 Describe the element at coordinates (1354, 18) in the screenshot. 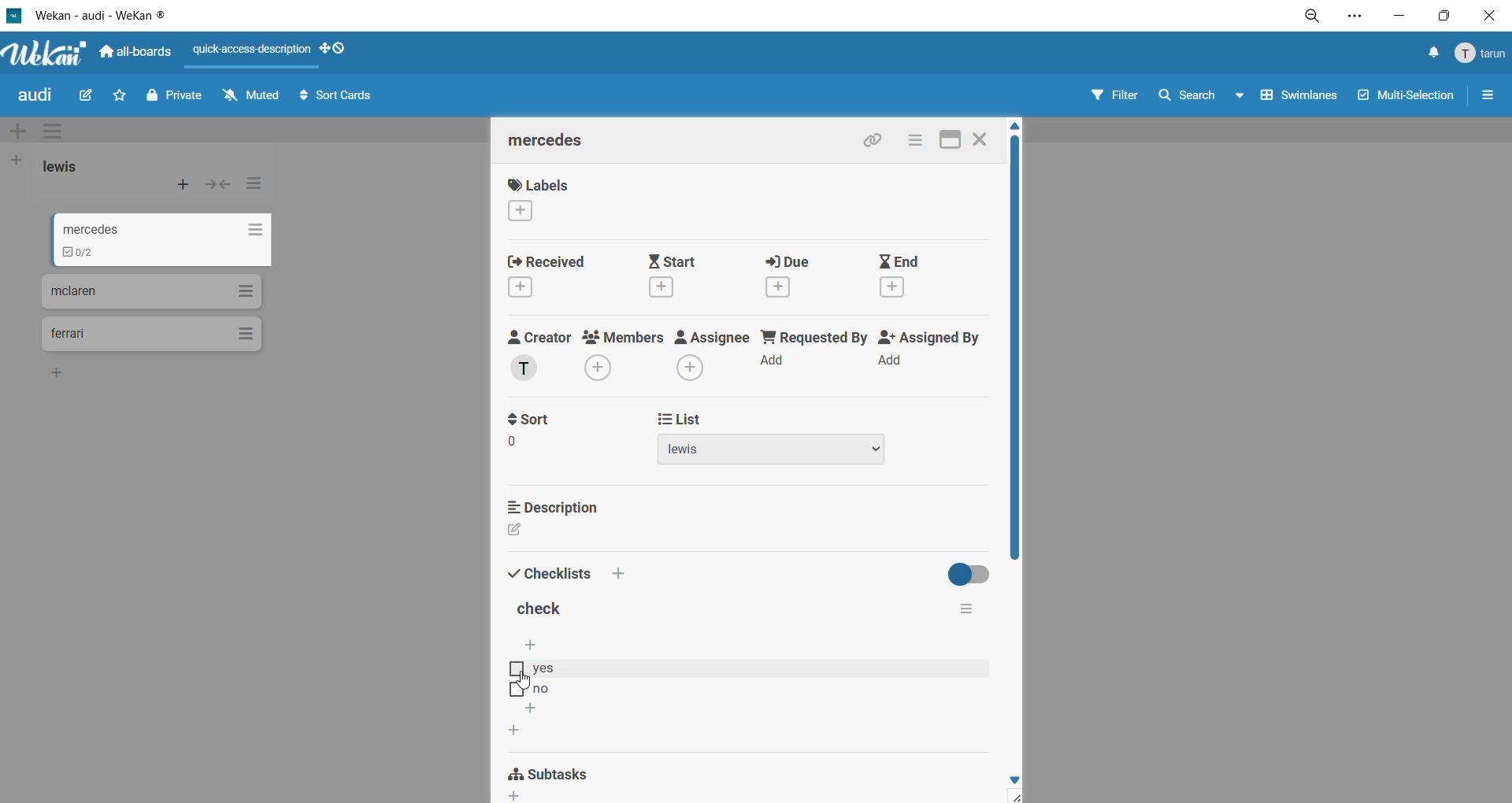

I see `settings` at that location.